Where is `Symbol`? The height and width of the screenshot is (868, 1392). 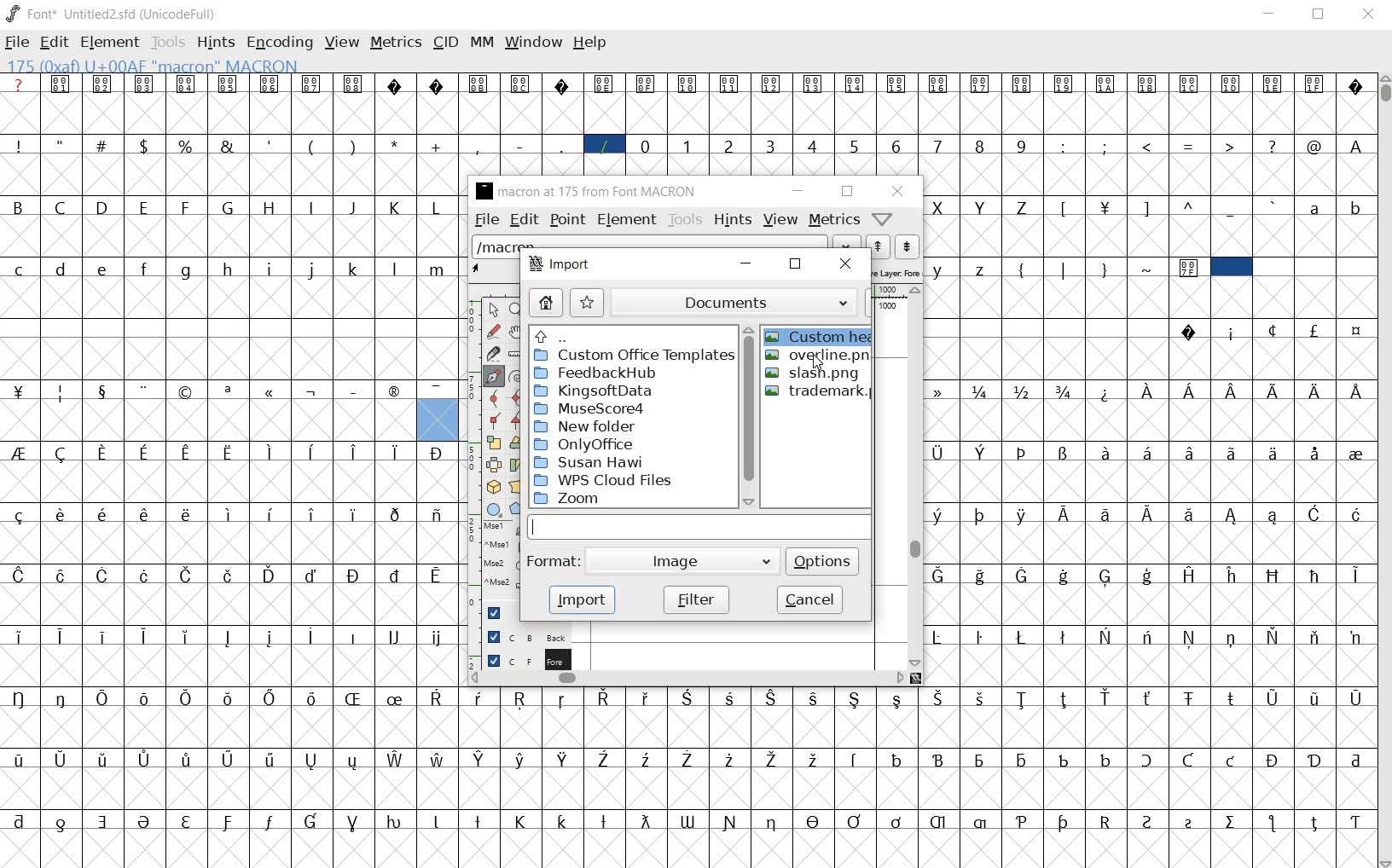
Symbol is located at coordinates (438, 637).